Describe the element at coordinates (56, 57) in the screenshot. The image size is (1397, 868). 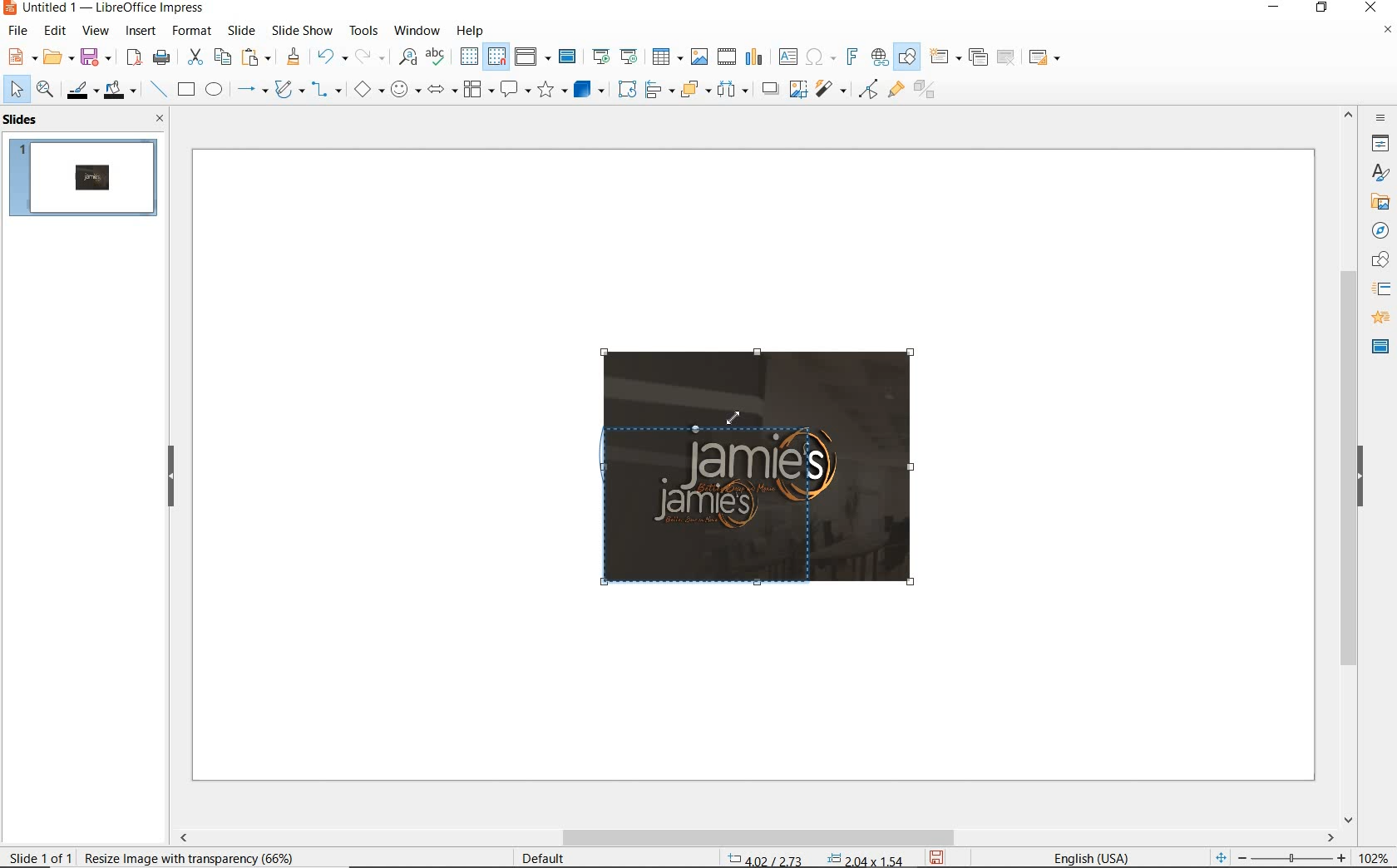
I see `open` at that location.